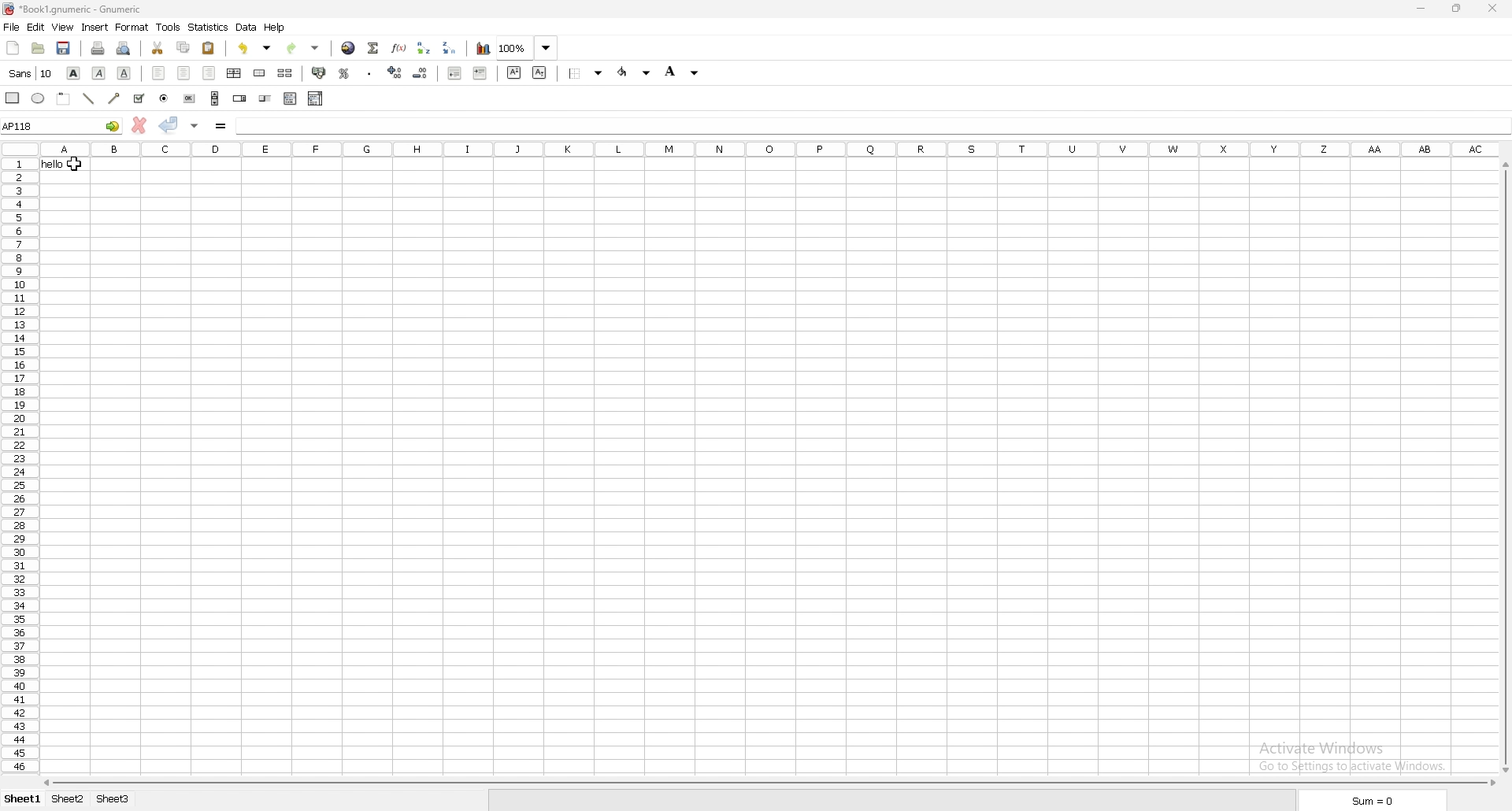 Image resolution: width=1512 pixels, height=811 pixels. Describe the element at coordinates (302, 48) in the screenshot. I see `redo` at that location.